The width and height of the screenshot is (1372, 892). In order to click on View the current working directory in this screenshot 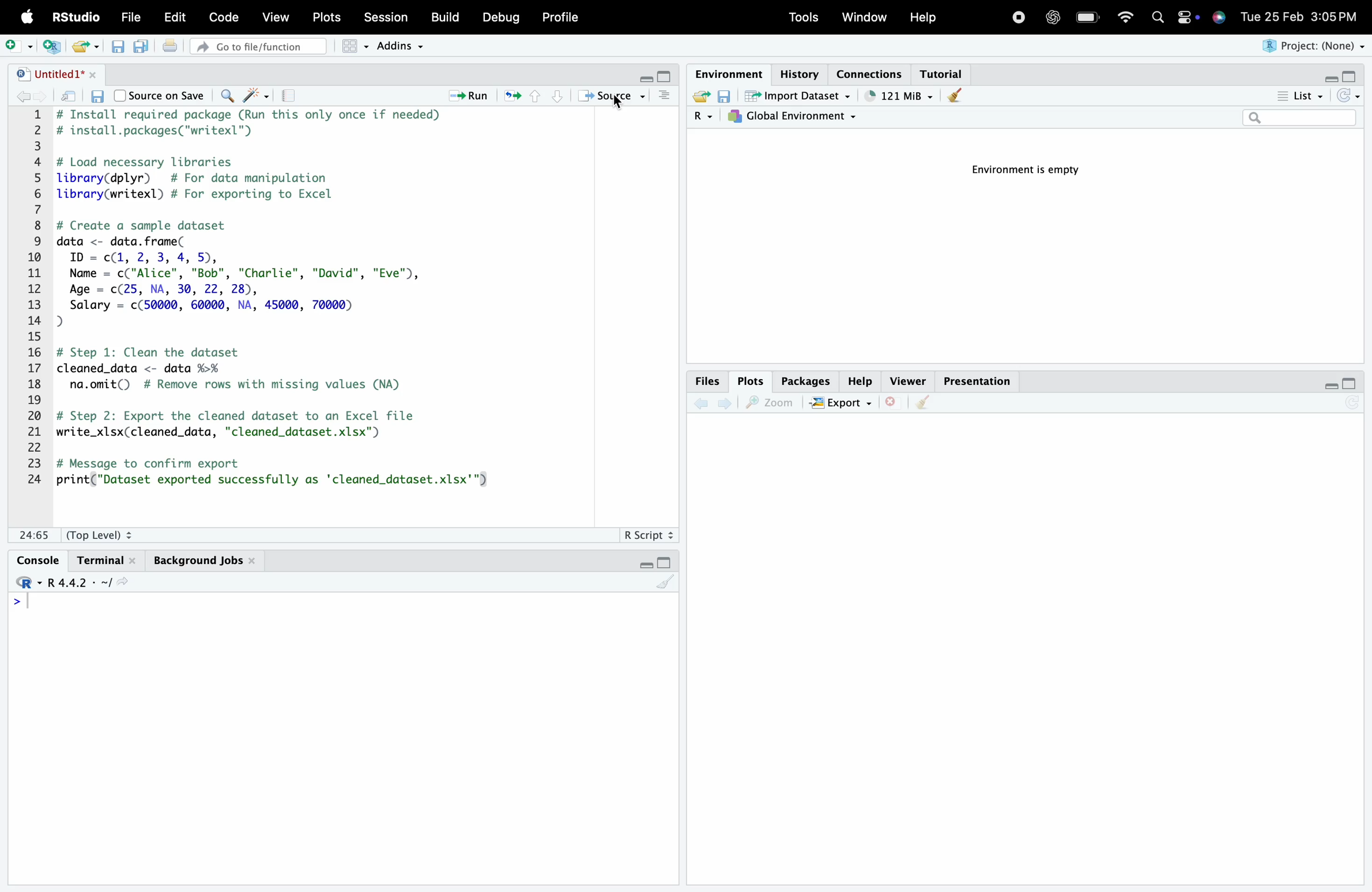, I will do `click(125, 581)`.